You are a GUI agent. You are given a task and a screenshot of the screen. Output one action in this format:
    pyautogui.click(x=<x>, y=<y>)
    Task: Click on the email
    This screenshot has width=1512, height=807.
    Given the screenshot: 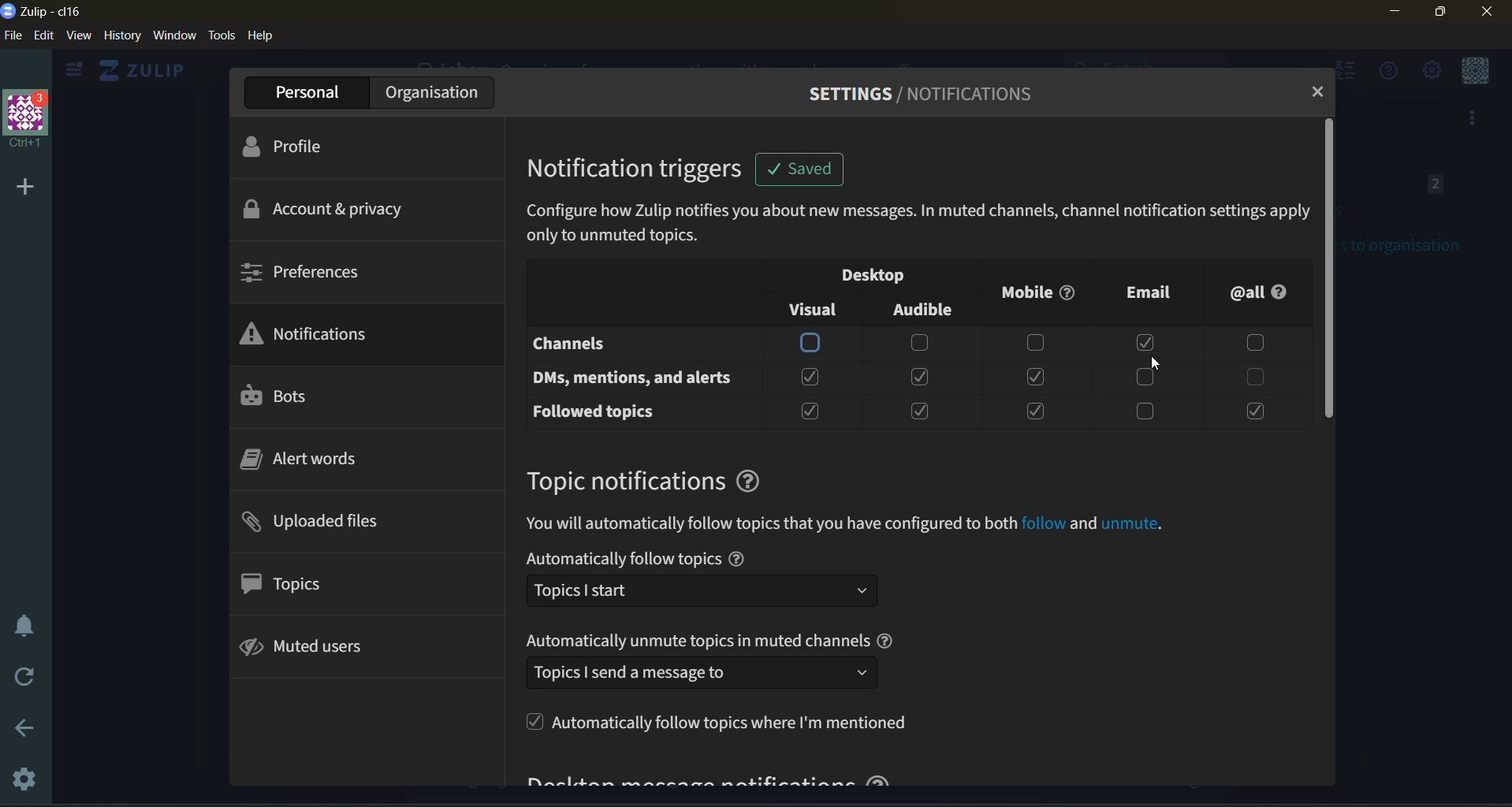 What is the action you would take?
    pyautogui.click(x=1138, y=294)
    